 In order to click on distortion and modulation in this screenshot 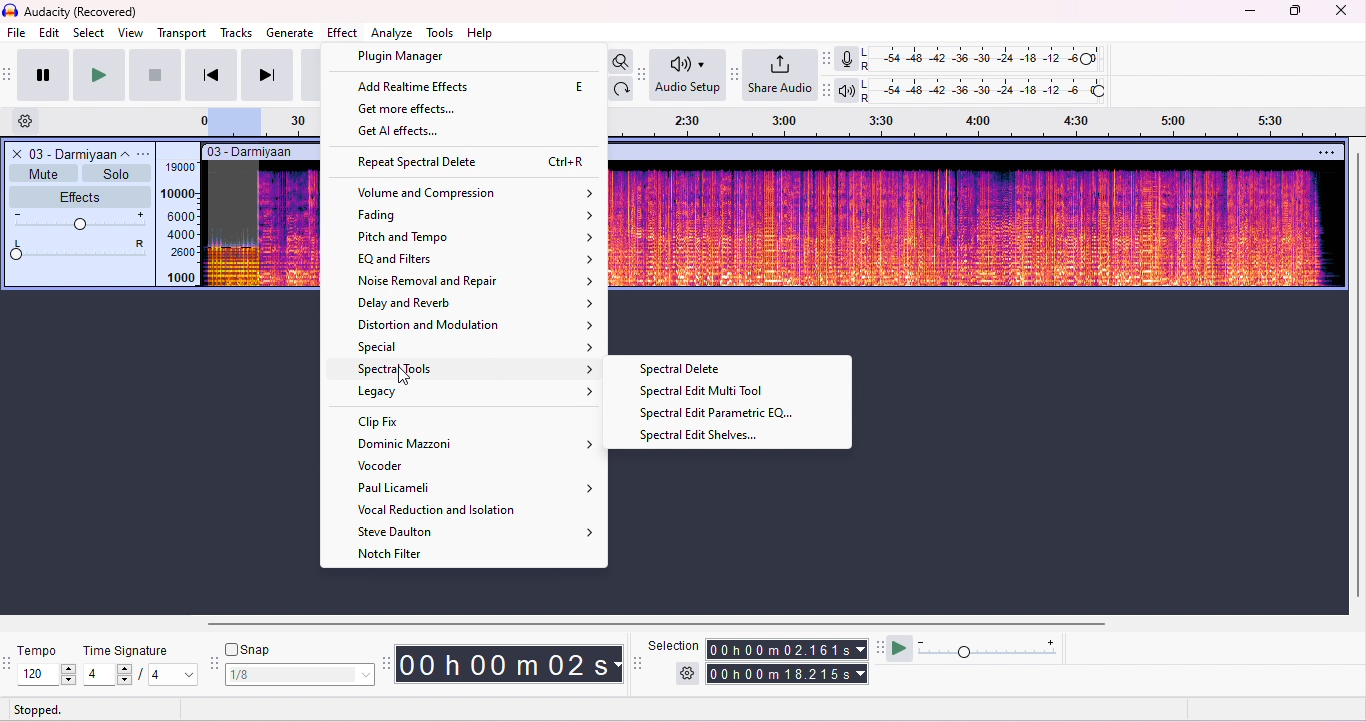, I will do `click(474, 325)`.